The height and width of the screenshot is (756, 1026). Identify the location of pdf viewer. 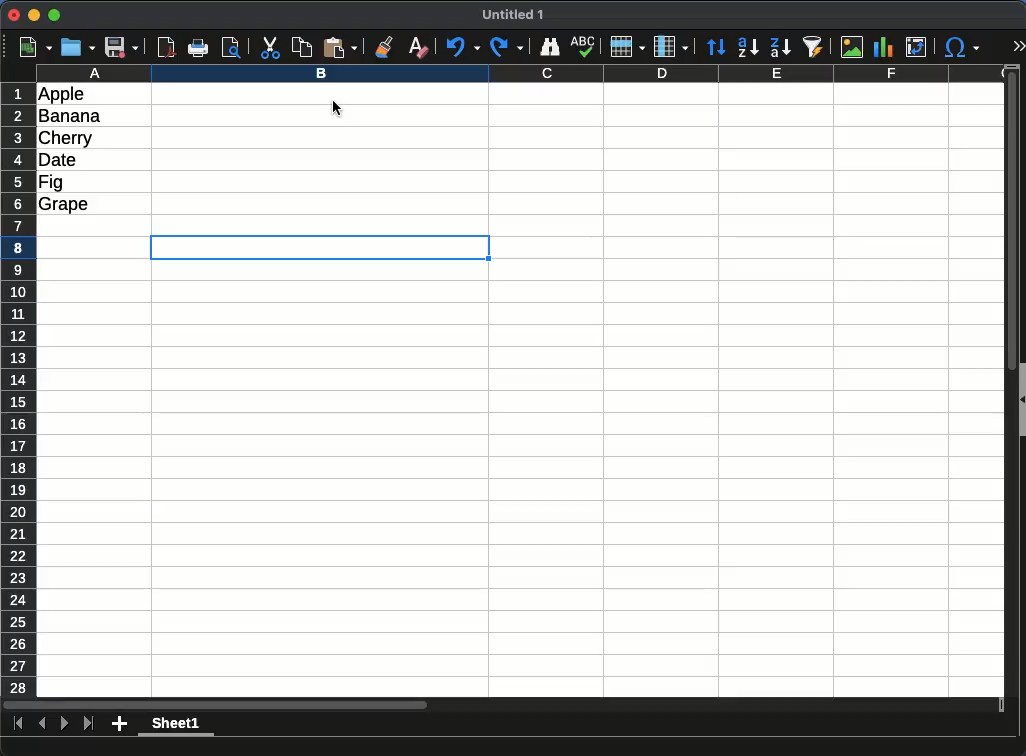
(167, 48).